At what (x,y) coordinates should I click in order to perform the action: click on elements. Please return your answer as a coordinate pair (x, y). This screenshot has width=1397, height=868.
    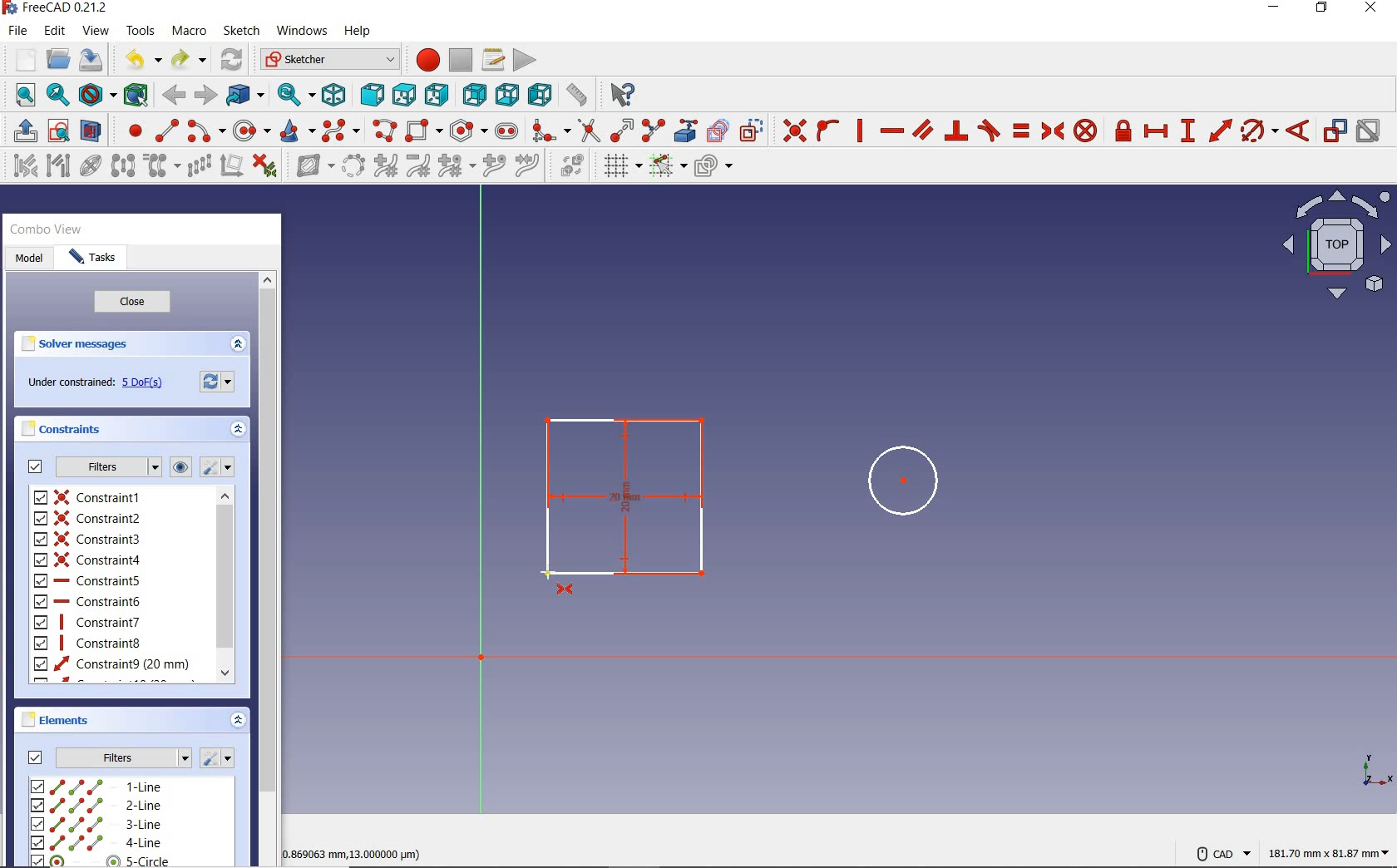
    Looking at the image, I should click on (71, 721).